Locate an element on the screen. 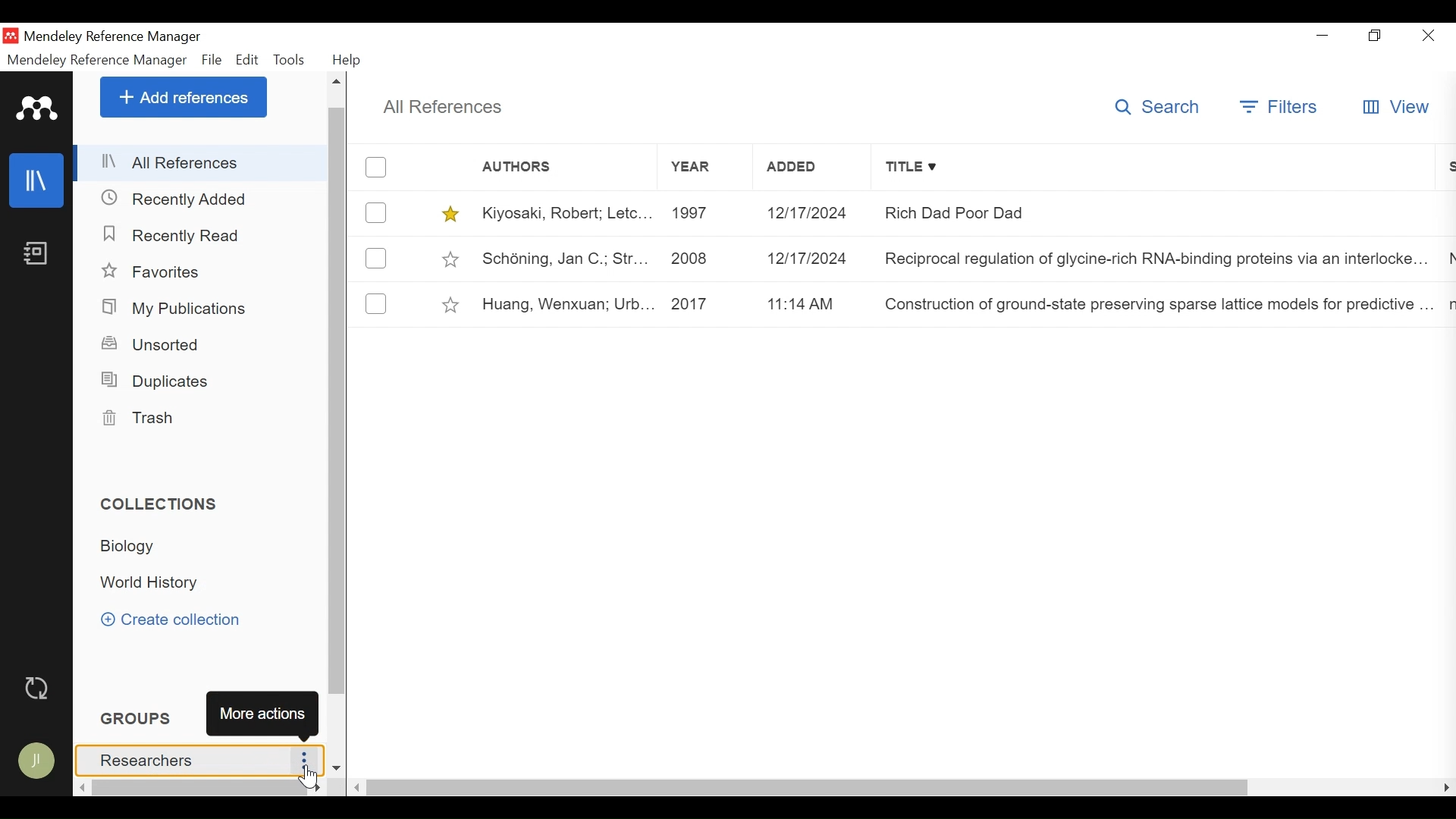  Help is located at coordinates (349, 60).